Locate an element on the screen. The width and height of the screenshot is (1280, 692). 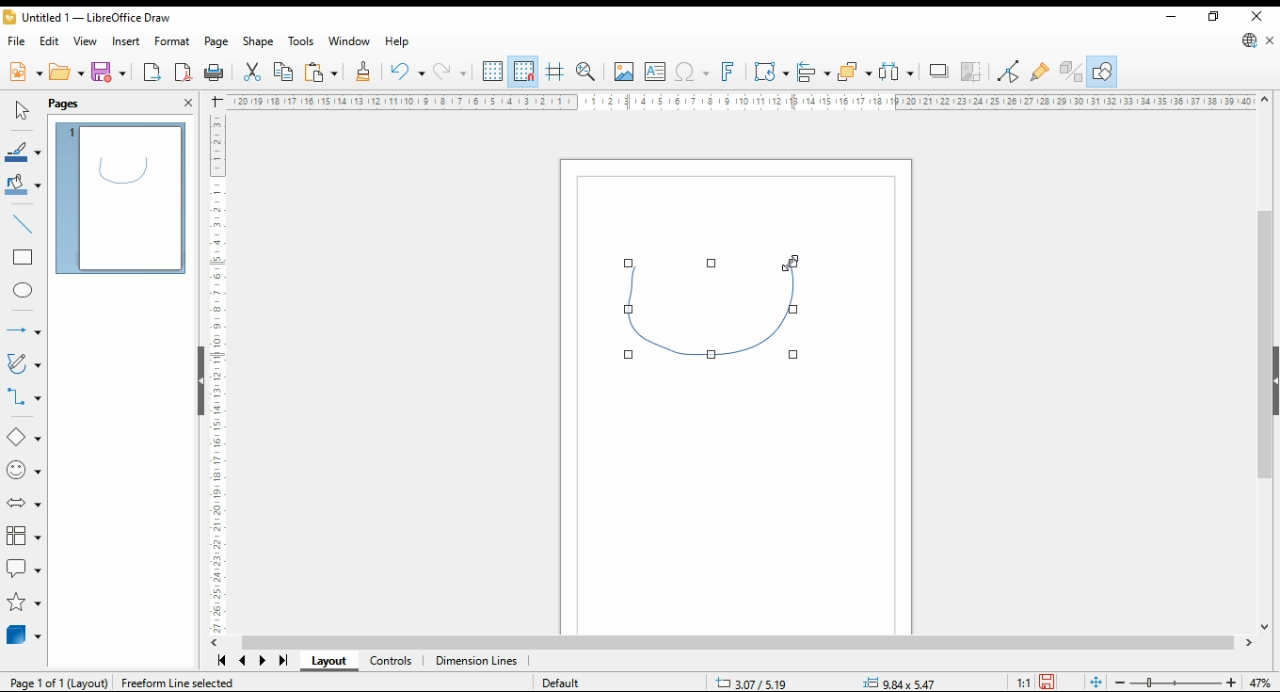
close document is located at coordinates (1270, 39).